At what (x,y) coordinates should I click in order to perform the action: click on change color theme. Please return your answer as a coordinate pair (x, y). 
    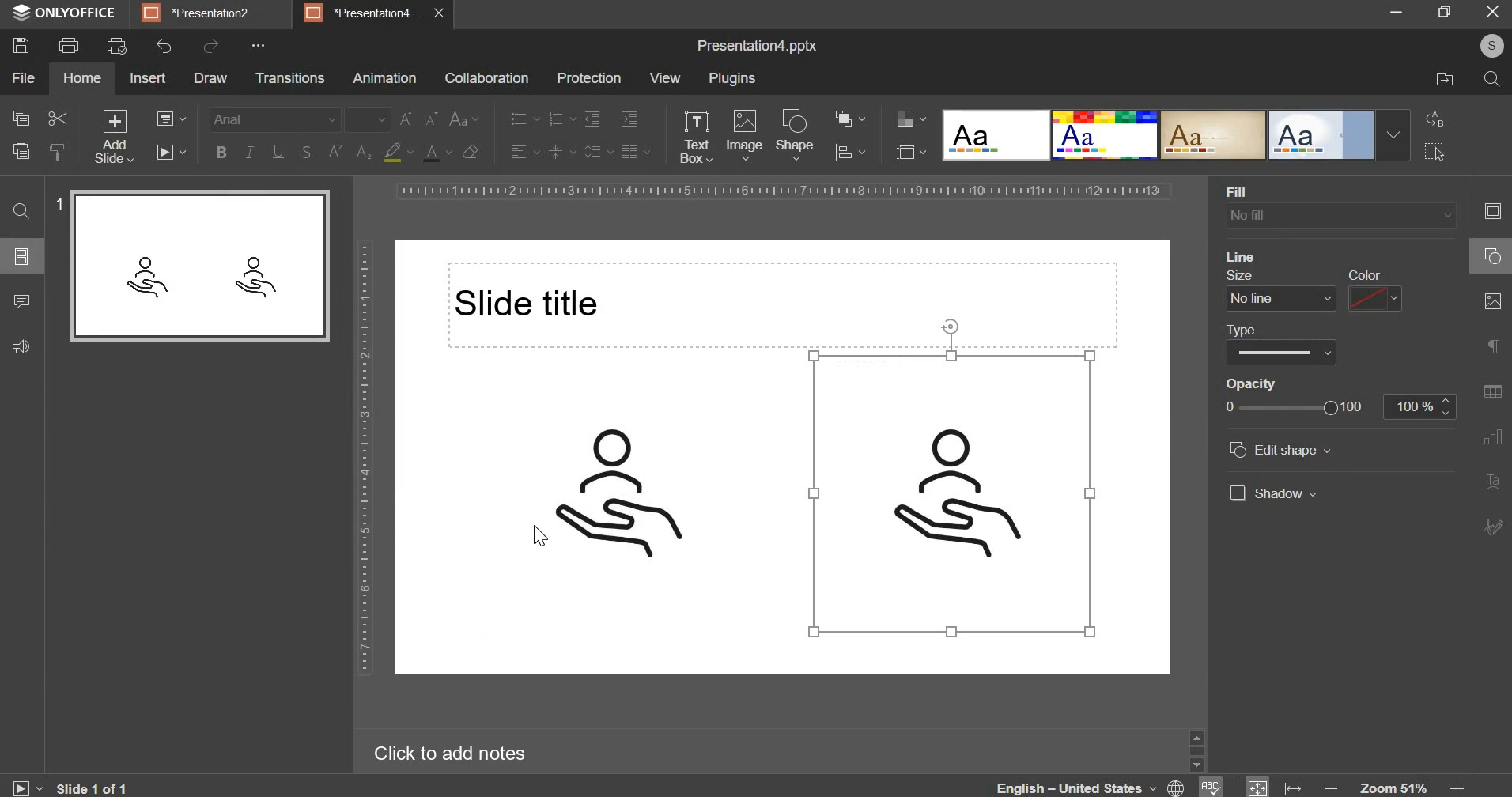
    Looking at the image, I should click on (905, 119).